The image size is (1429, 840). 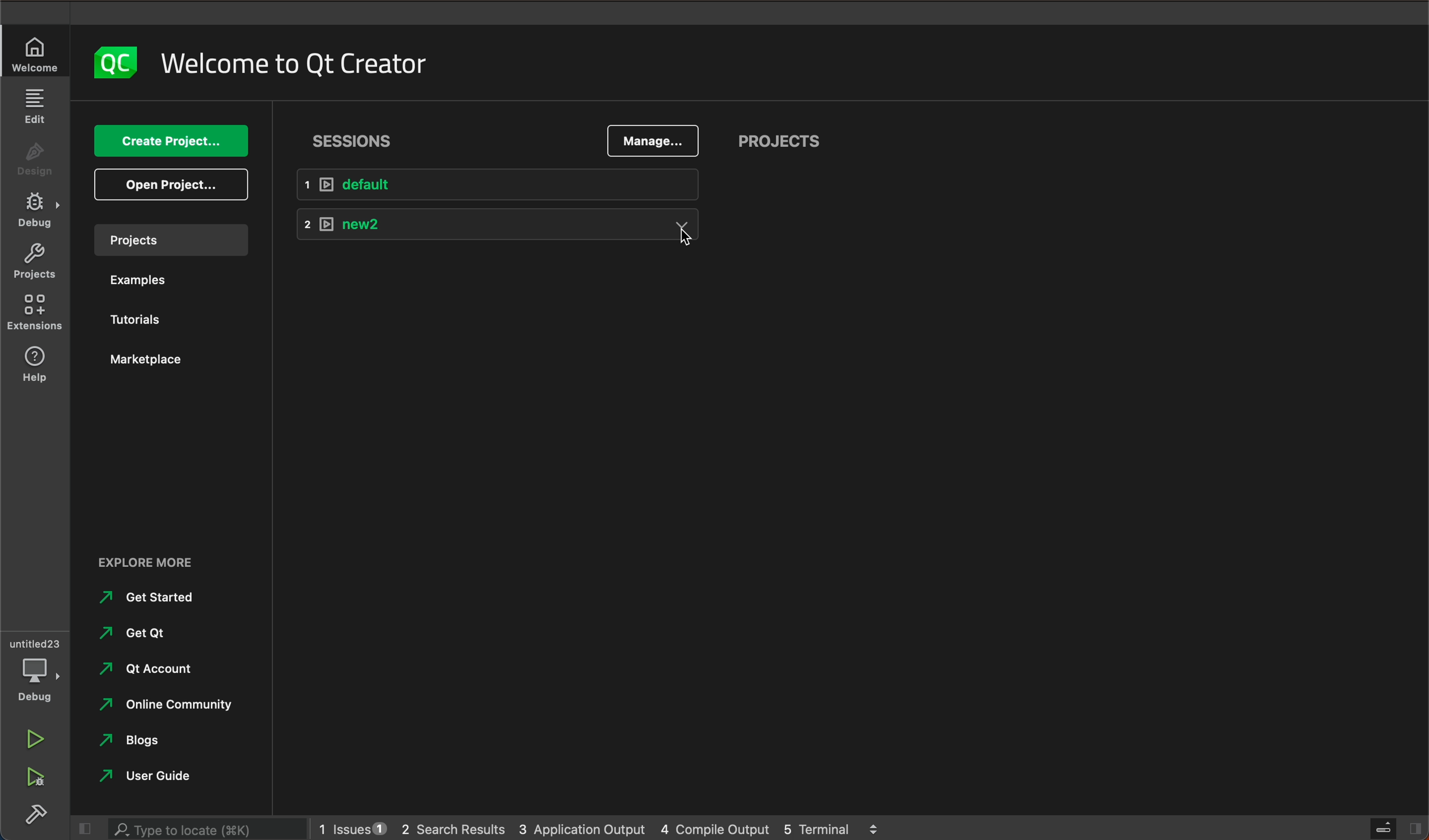 I want to click on extensions, so click(x=34, y=315).